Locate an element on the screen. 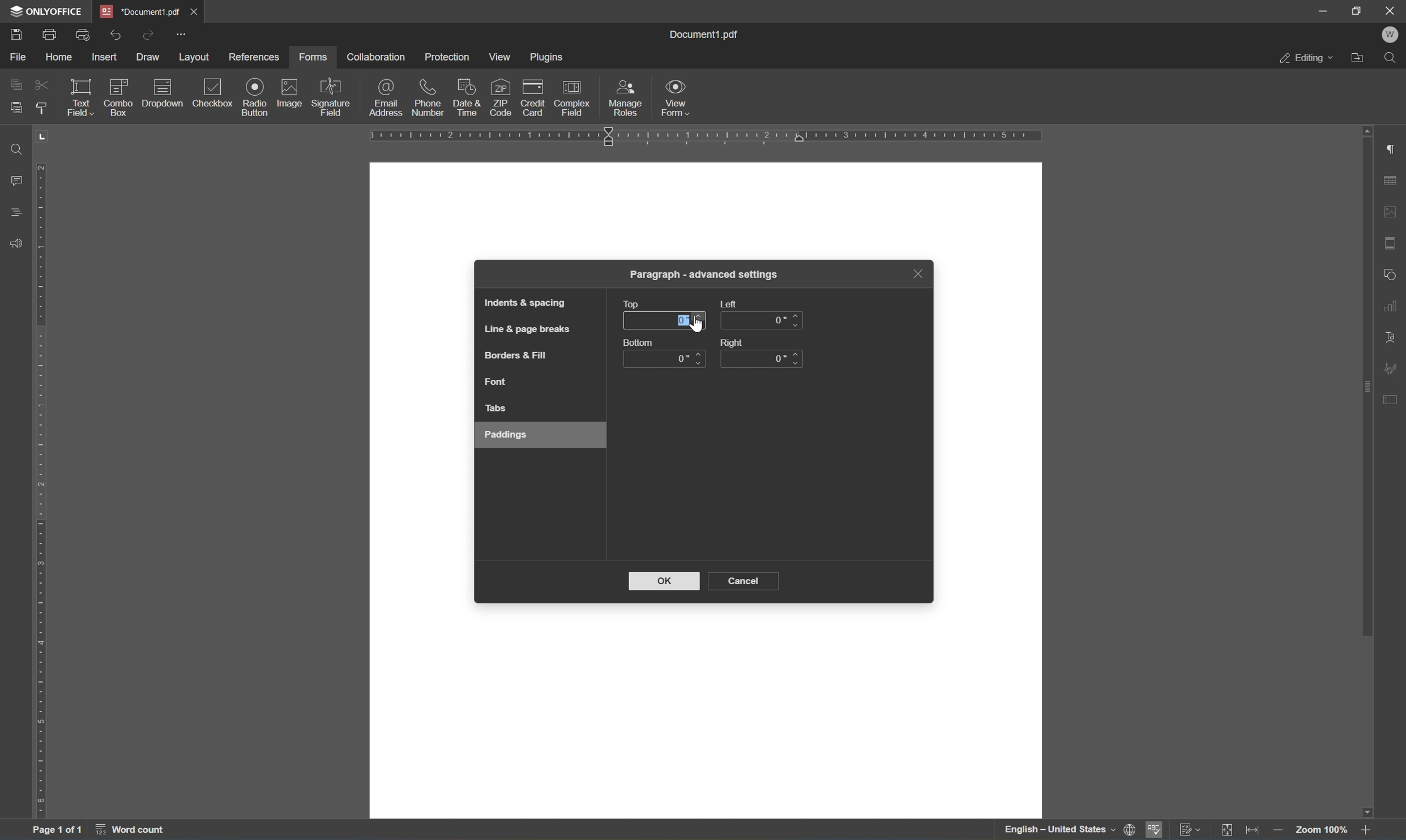 The image size is (1406, 840). undo is located at coordinates (117, 33).